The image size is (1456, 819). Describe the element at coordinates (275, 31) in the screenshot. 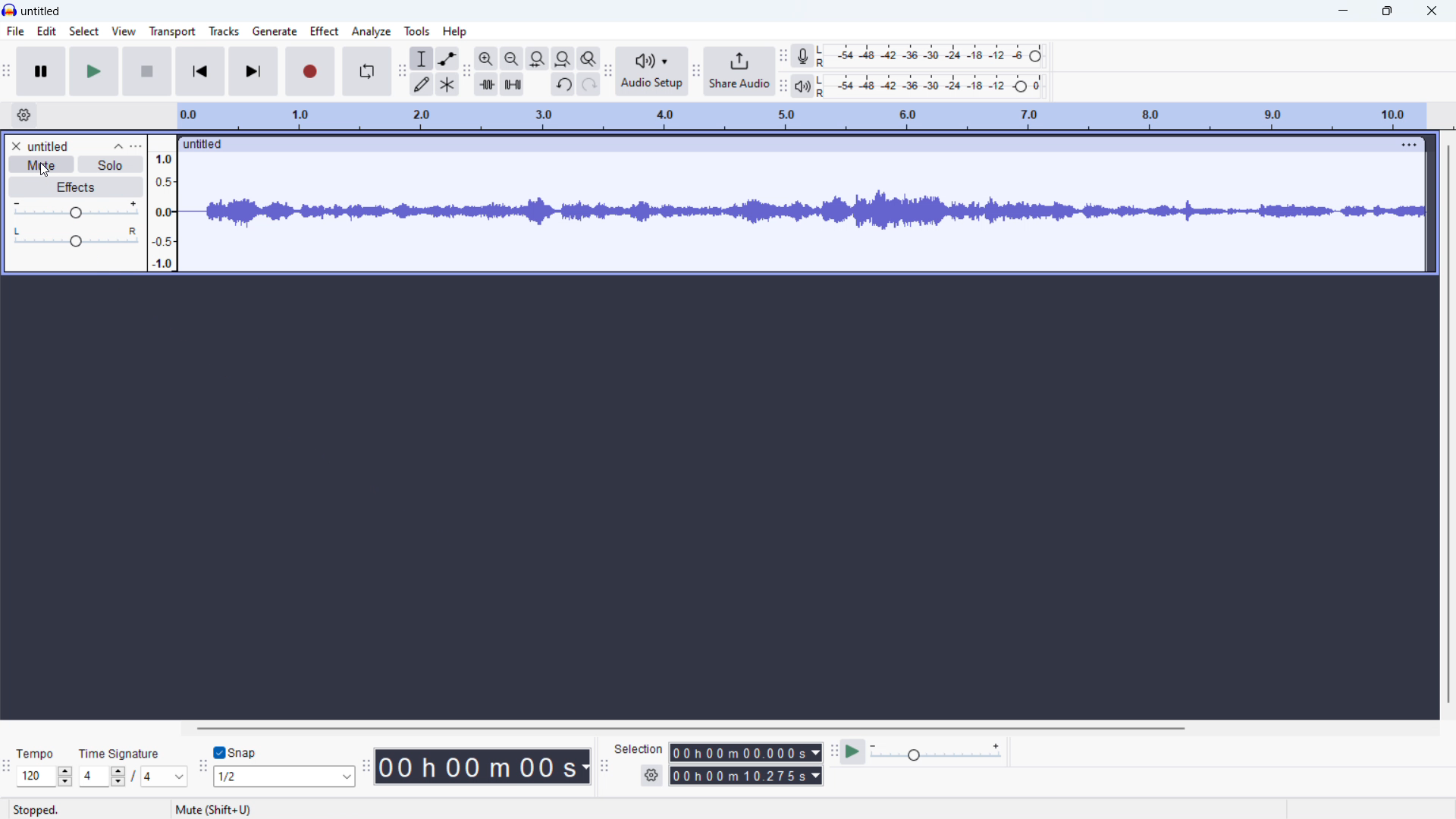

I see `generate` at that location.